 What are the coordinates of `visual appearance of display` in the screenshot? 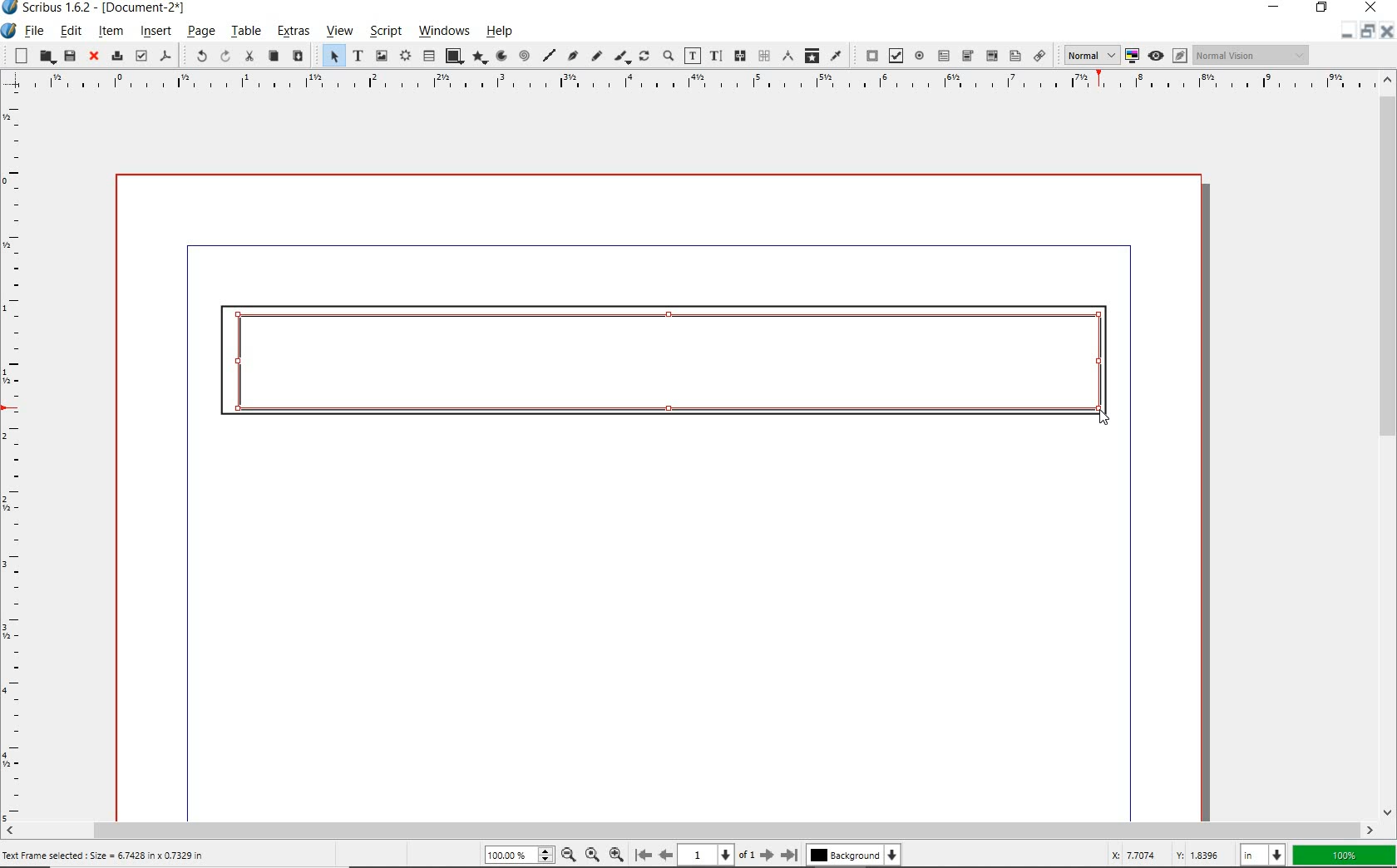 It's located at (1254, 54).